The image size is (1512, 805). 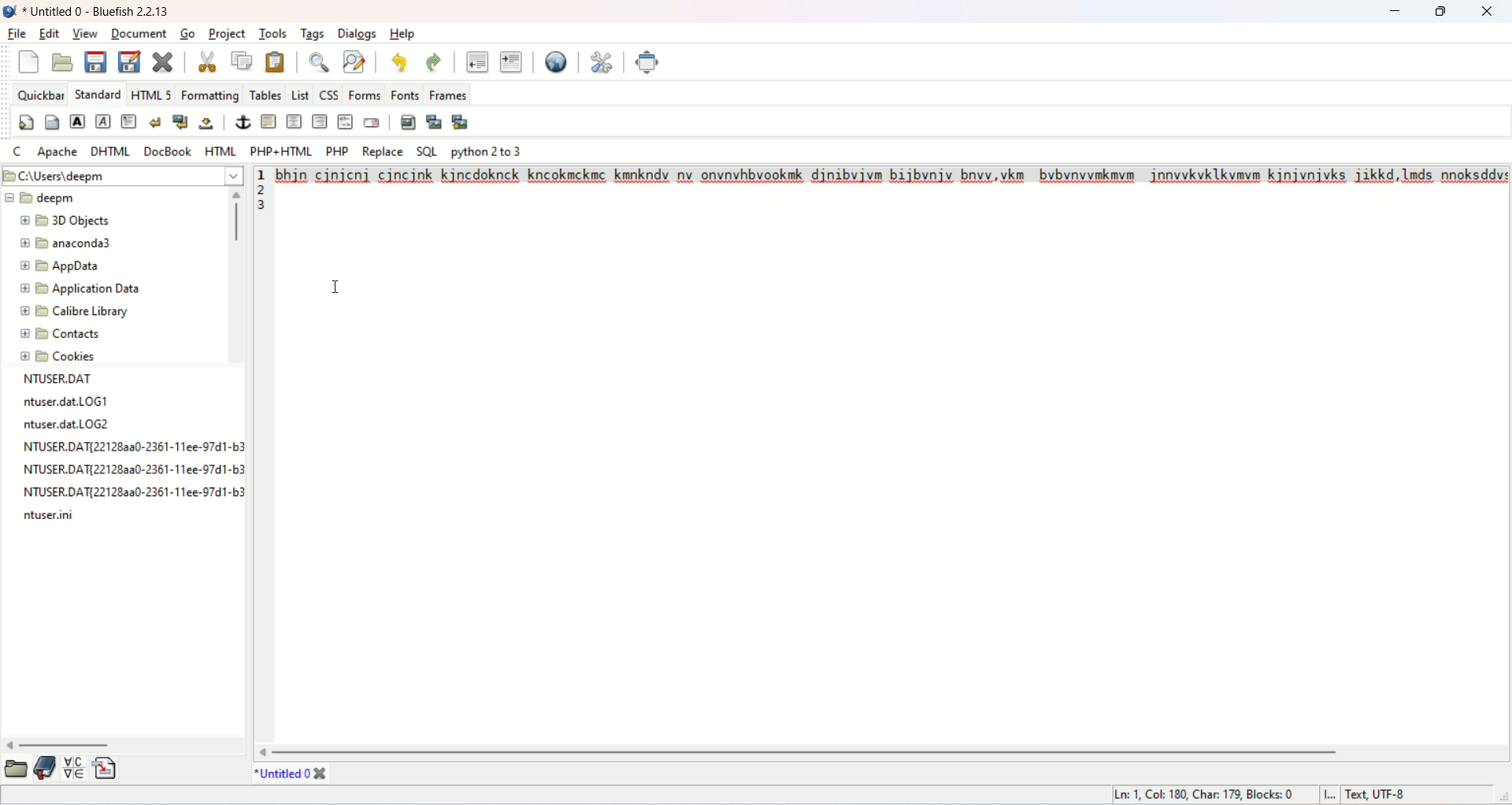 I want to click on file name, so click(x=67, y=423).